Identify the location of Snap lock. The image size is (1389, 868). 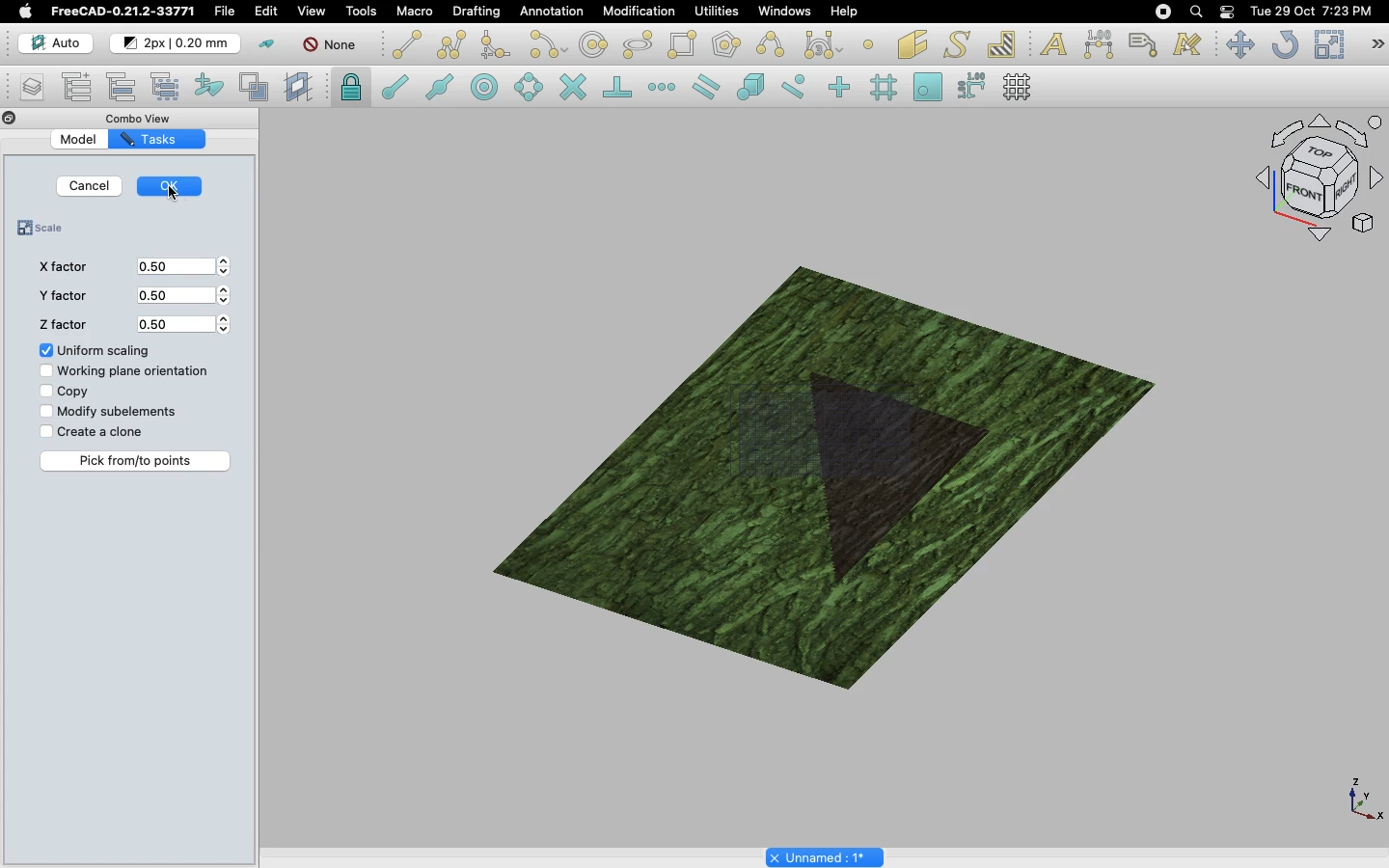
(351, 87).